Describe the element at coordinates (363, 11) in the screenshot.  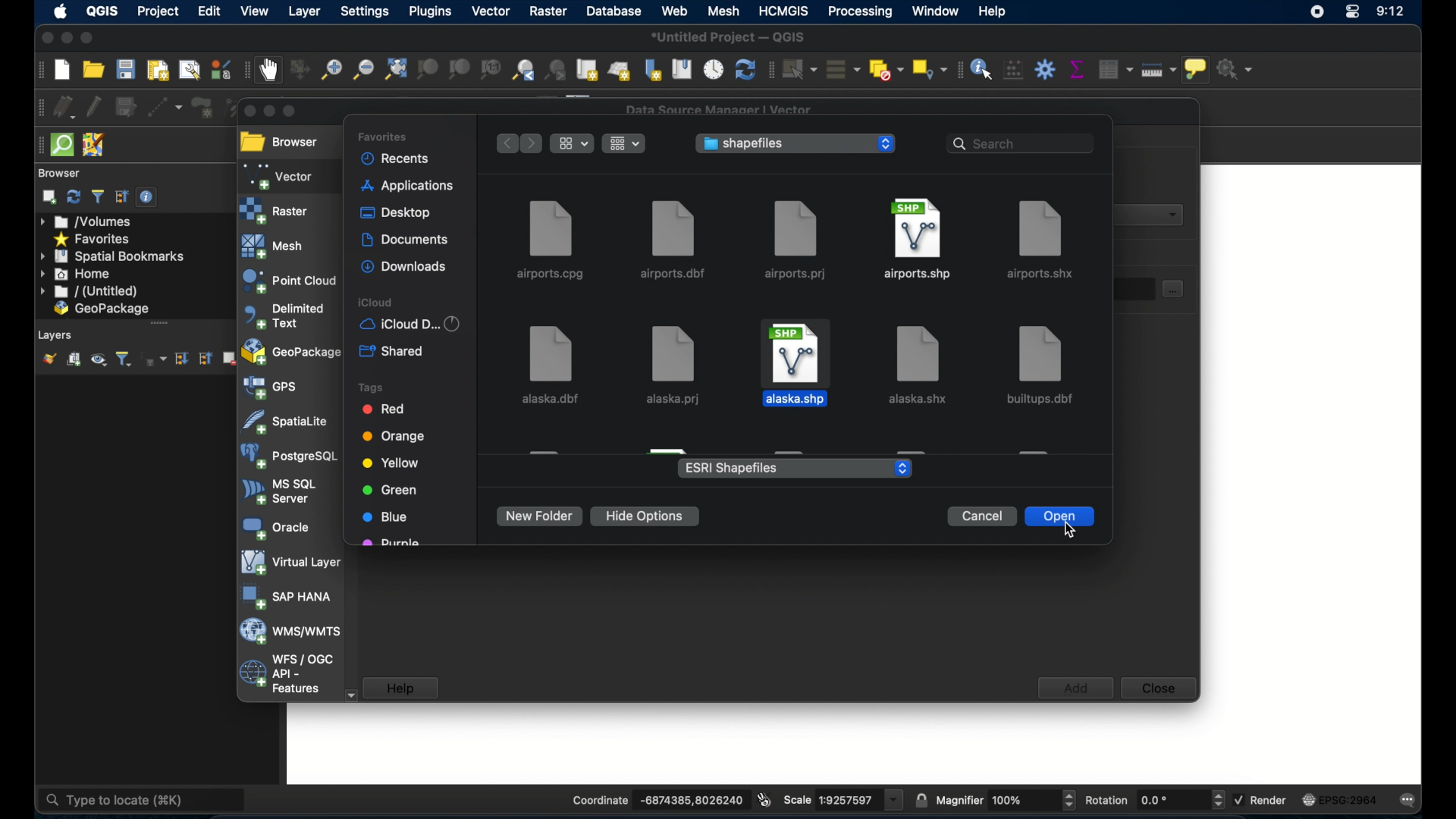
I see `settings` at that location.